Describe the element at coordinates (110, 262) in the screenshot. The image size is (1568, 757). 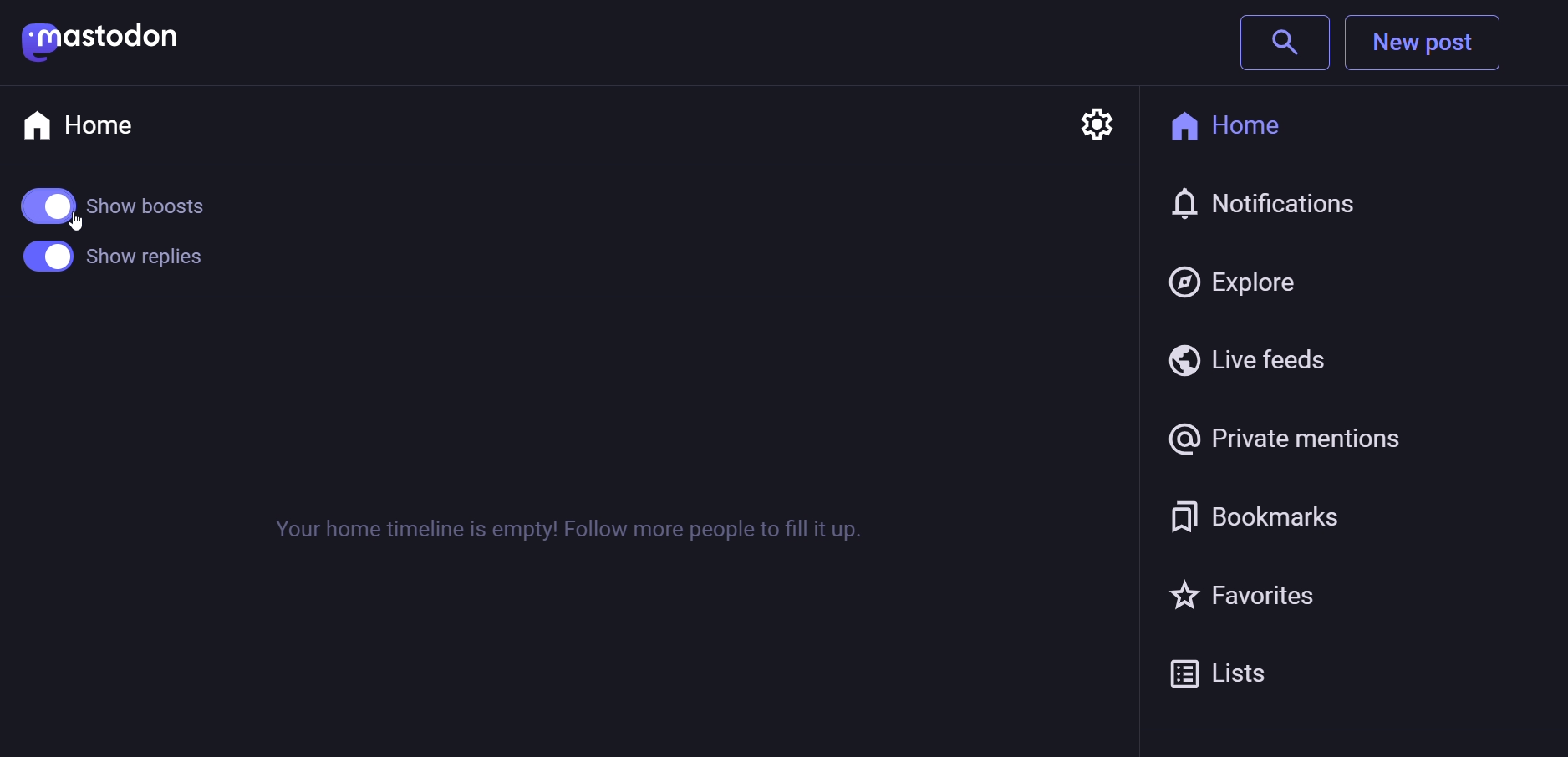
I see `show replies` at that location.